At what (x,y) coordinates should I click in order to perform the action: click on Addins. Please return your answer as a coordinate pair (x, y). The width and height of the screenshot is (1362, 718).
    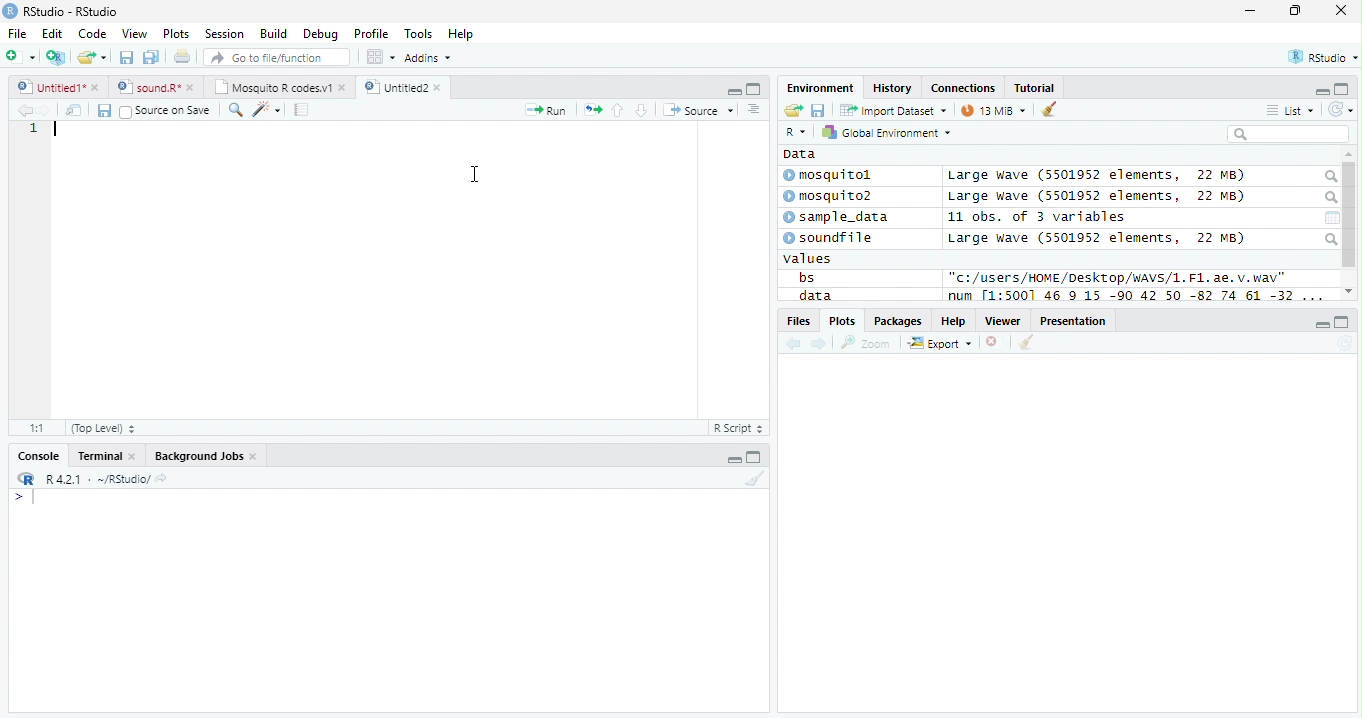
    Looking at the image, I should click on (430, 57).